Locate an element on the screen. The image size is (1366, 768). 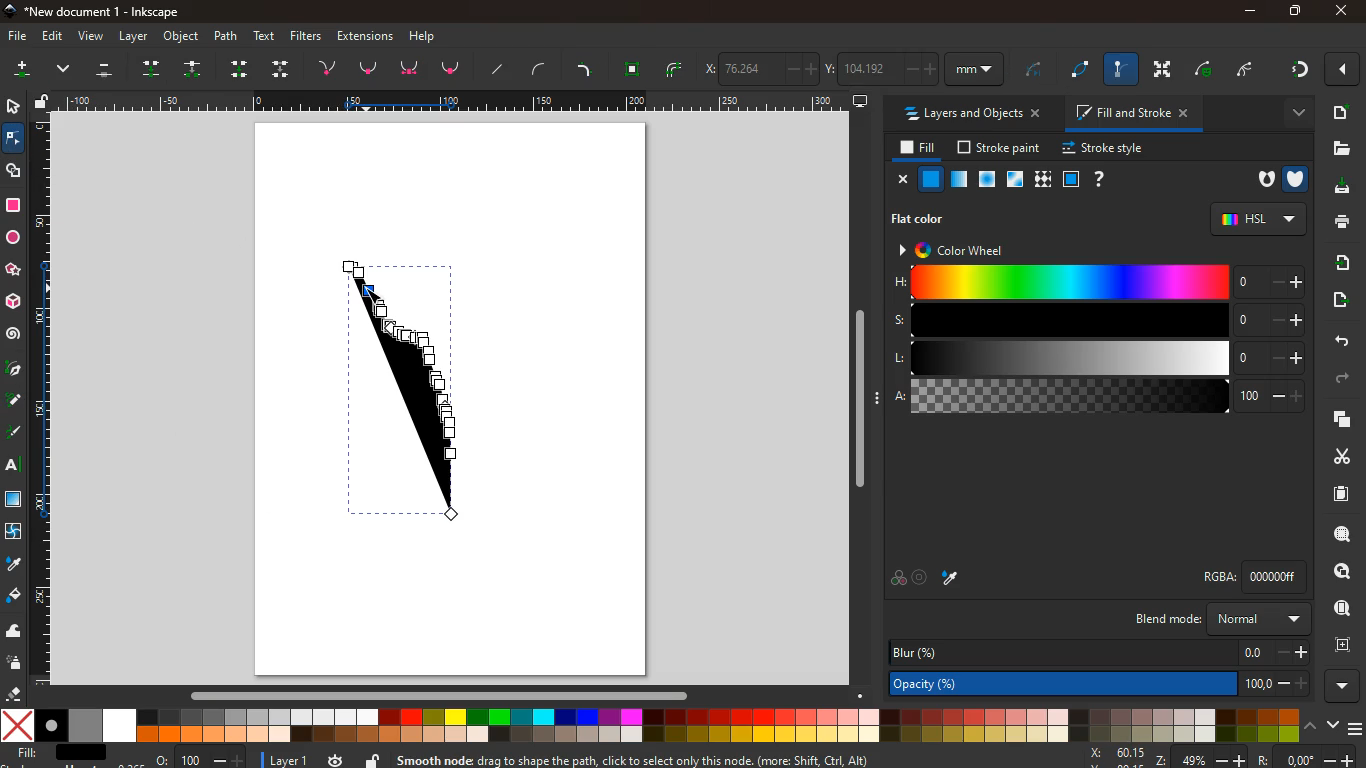
more is located at coordinates (1291, 113).